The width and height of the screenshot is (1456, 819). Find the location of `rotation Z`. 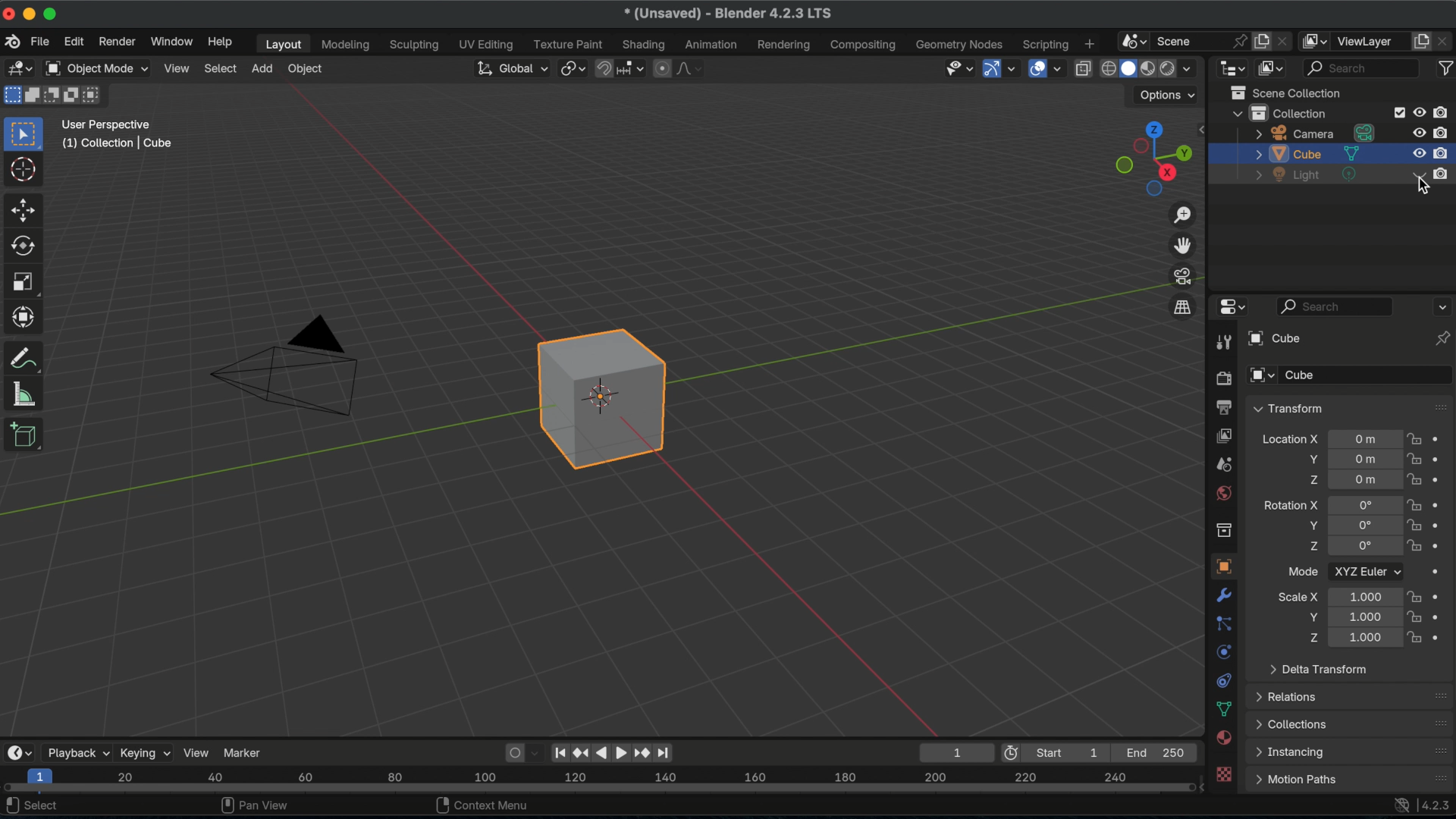

rotation Z is located at coordinates (1308, 545).